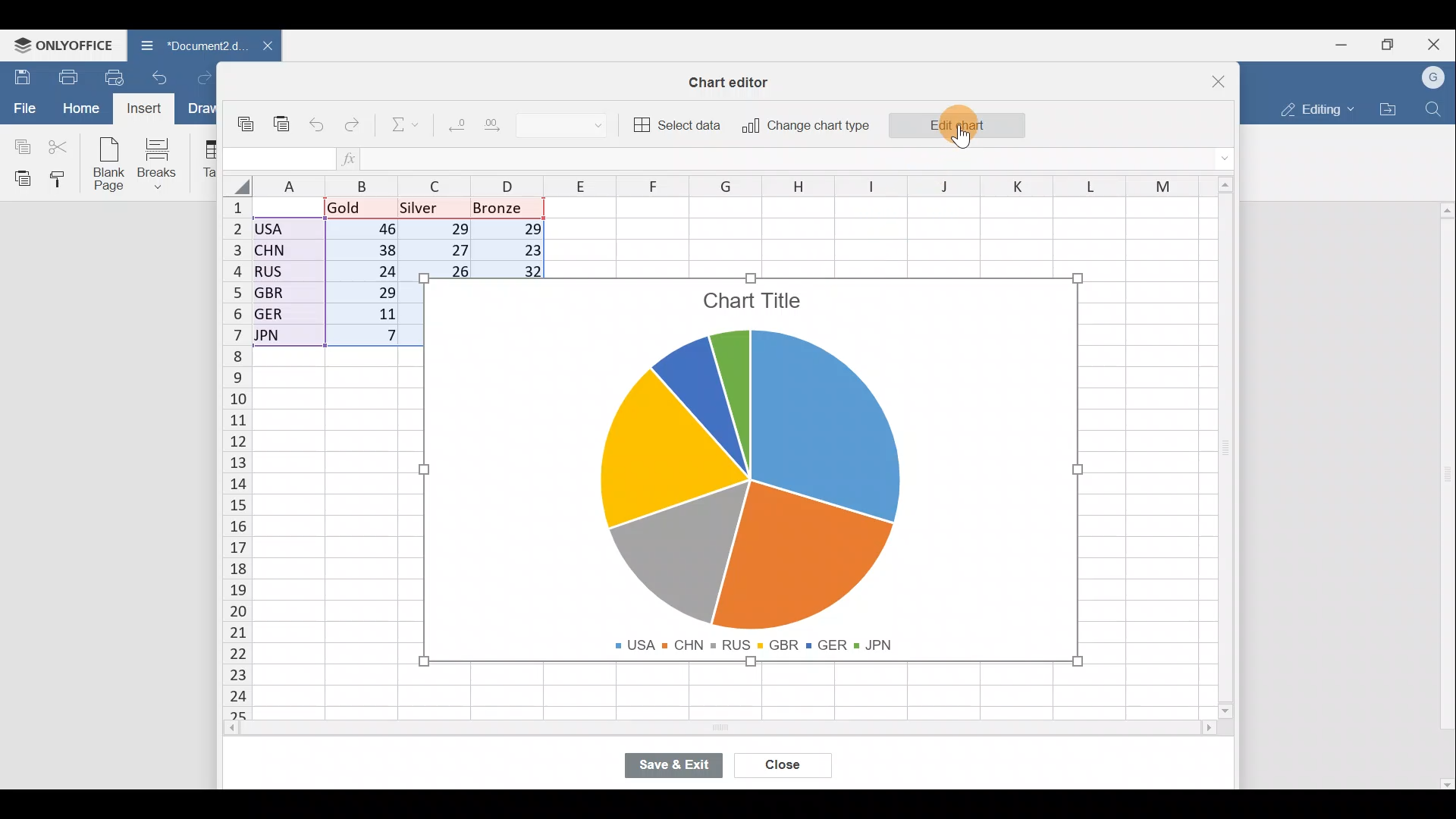 This screenshot has width=1456, height=819. Describe the element at coordinates (199, 110) in the screenshot. I see `Draw` at that location.